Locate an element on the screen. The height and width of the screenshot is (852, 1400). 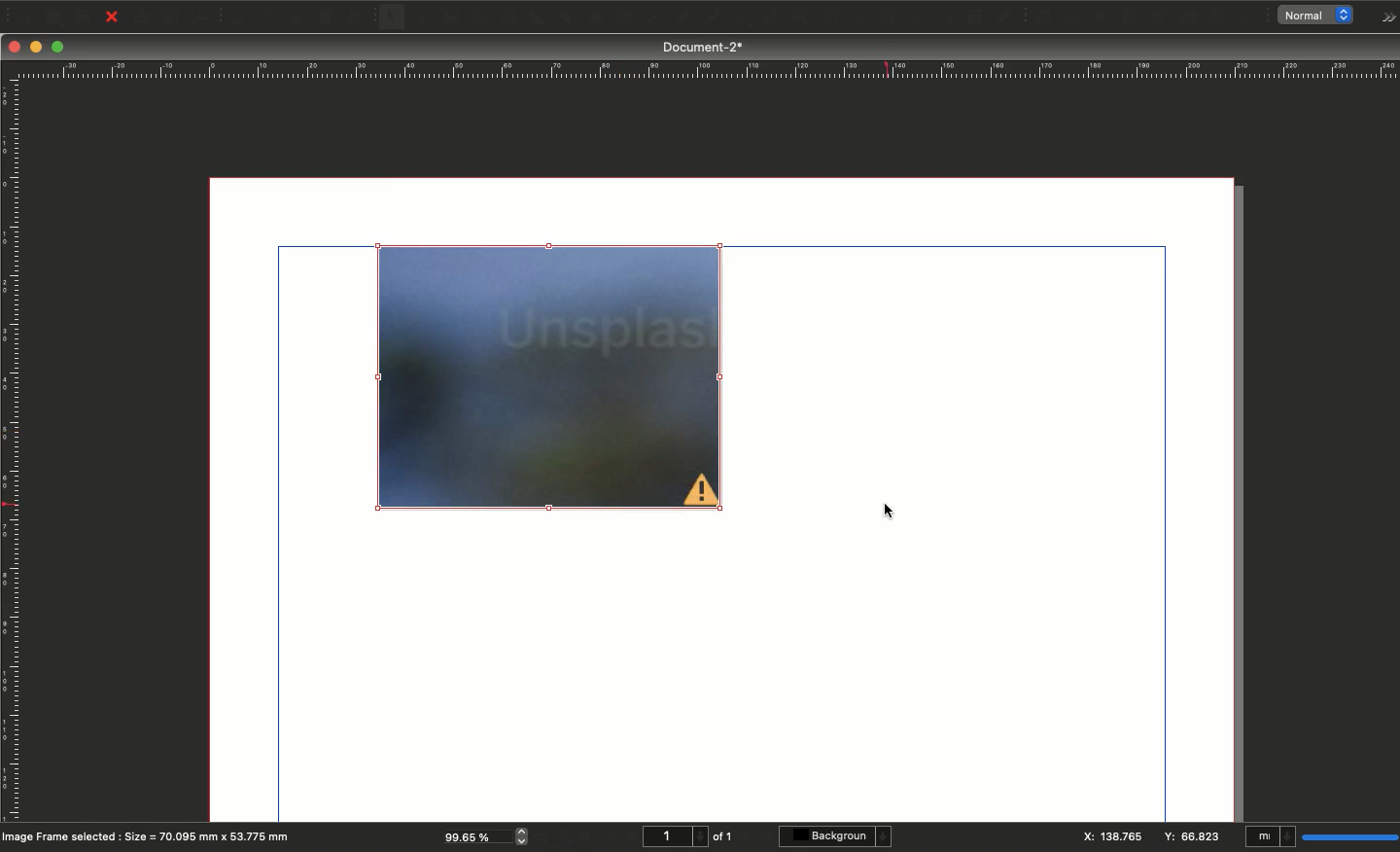
Options is located at coordinates (1384, 18).